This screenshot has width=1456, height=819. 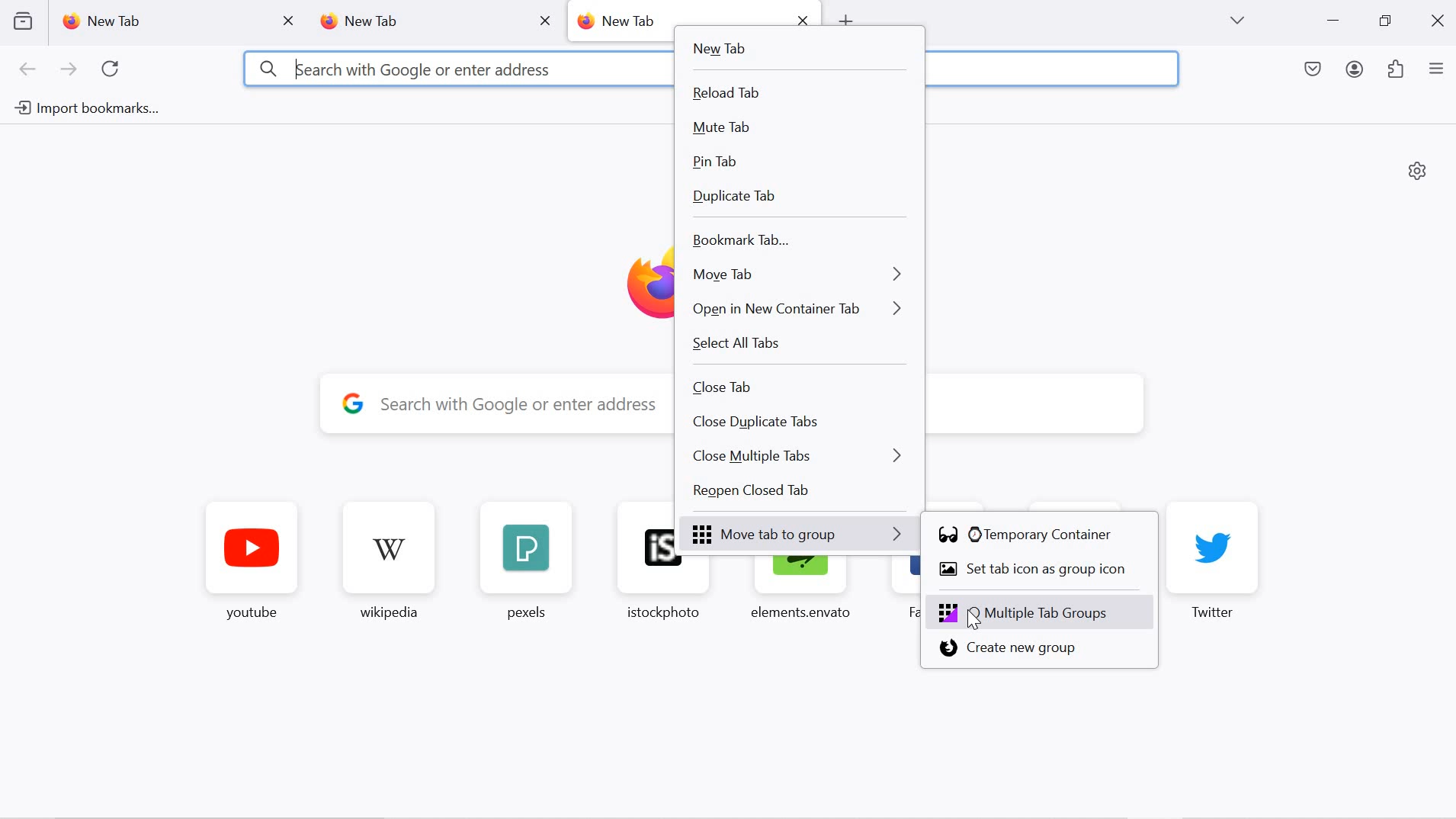 I want to click on mute tab, so click(x=793, y=130).